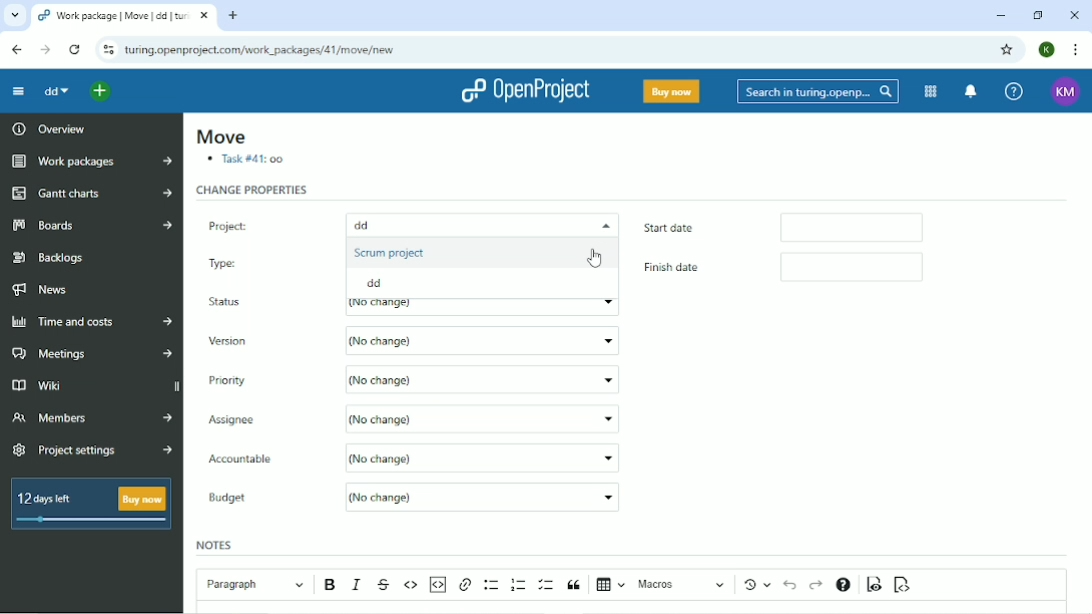  What do you see at coordinates (611, 586) in the screenshot?
I see `Insert table` at bounding box center [611, 586].